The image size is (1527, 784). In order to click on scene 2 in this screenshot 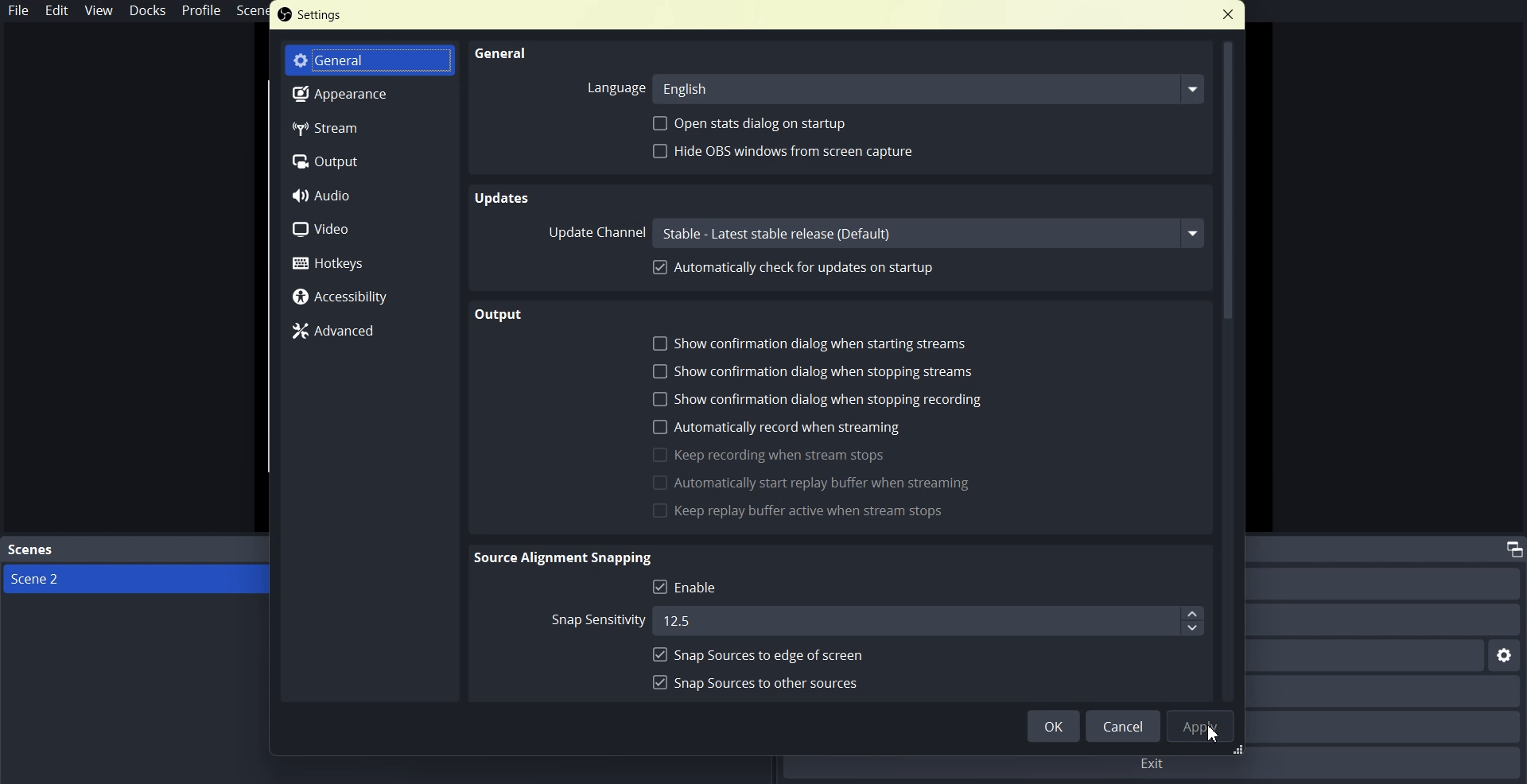, I will do `click(45, 580)`.